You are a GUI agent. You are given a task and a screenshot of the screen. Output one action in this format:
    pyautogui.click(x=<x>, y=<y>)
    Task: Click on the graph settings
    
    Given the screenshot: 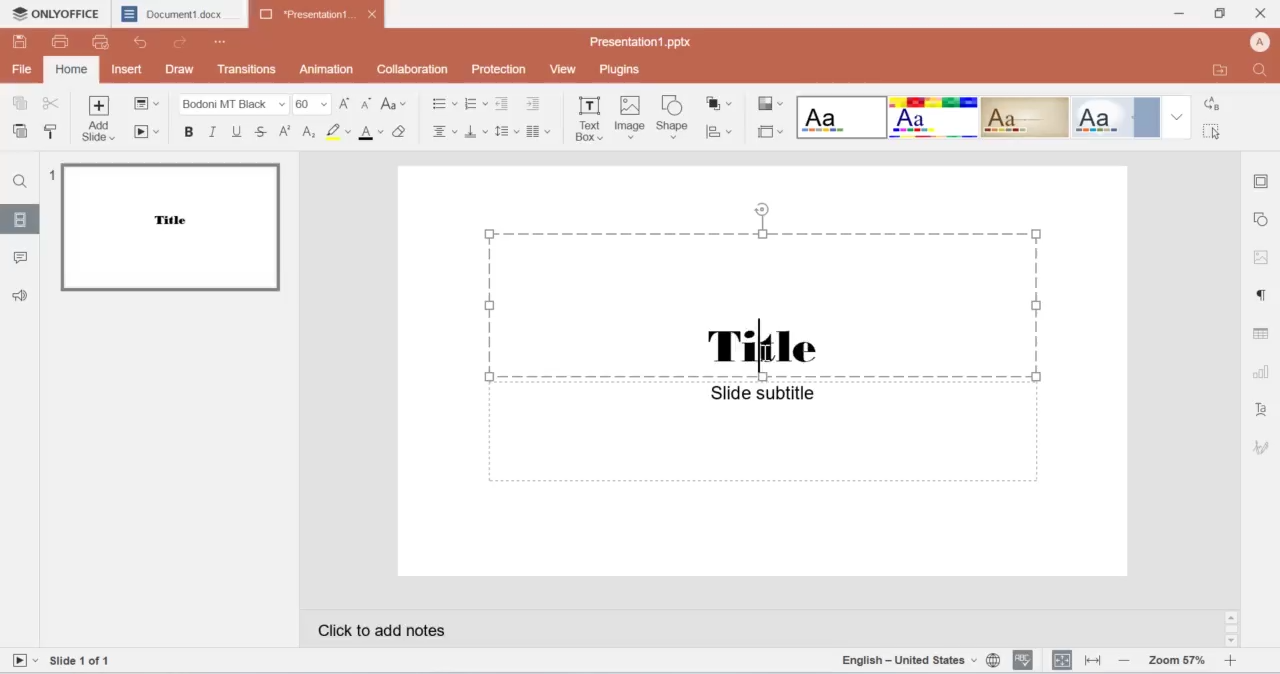 What is the action you would take?
    pyautogui.click(x=1259, y=375)
    